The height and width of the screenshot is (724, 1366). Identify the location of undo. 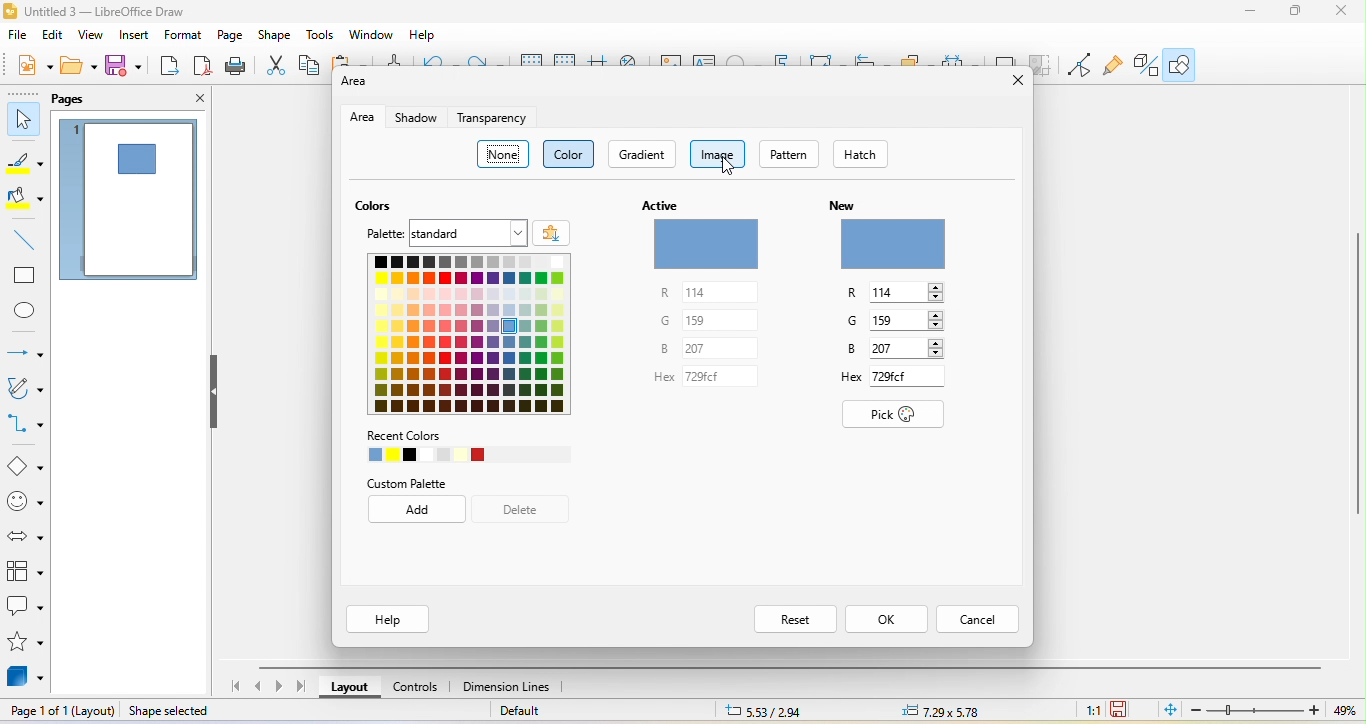
(440, 60).